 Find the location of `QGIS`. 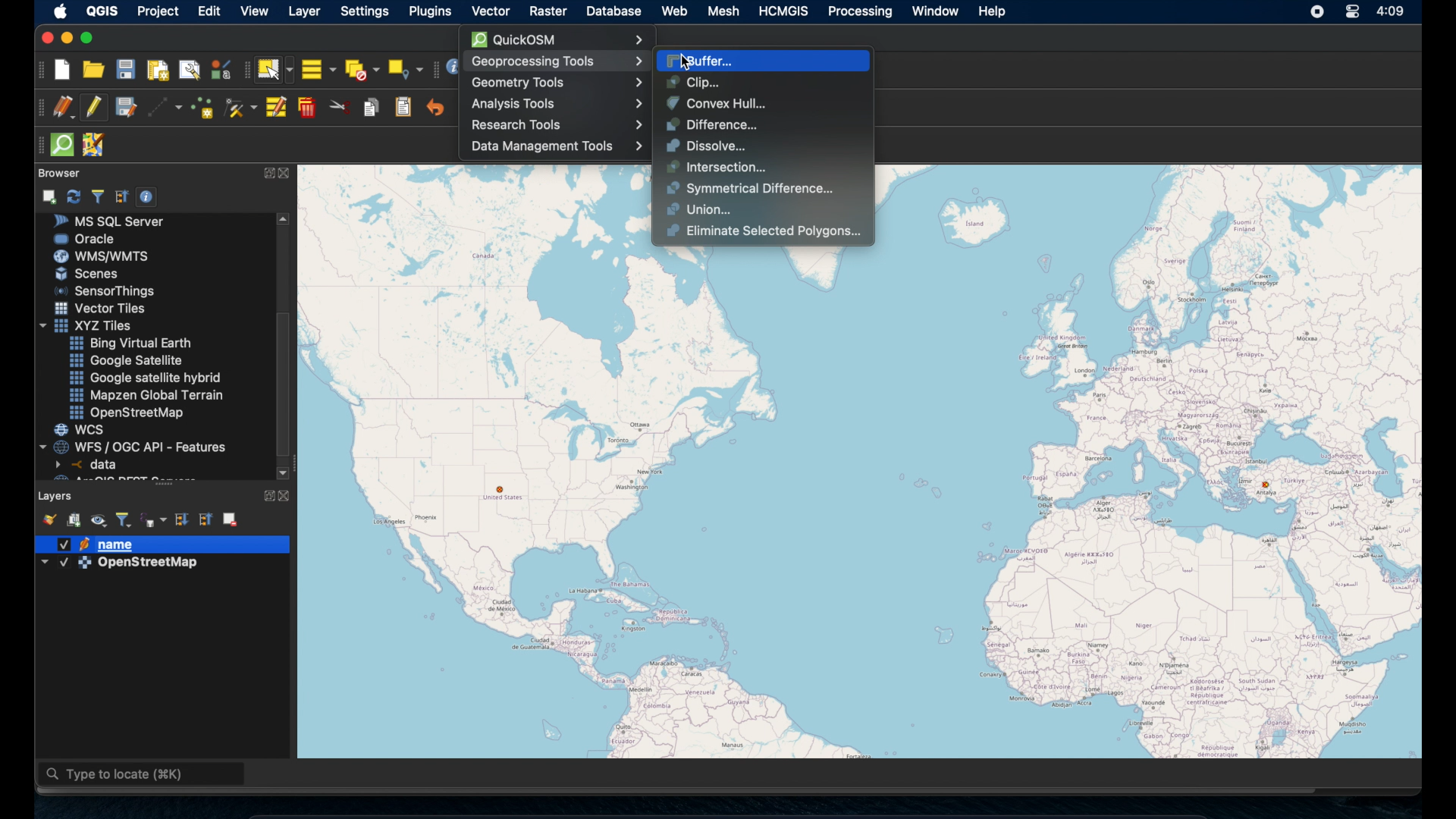

QGIS is located at coordinates (102, 10).